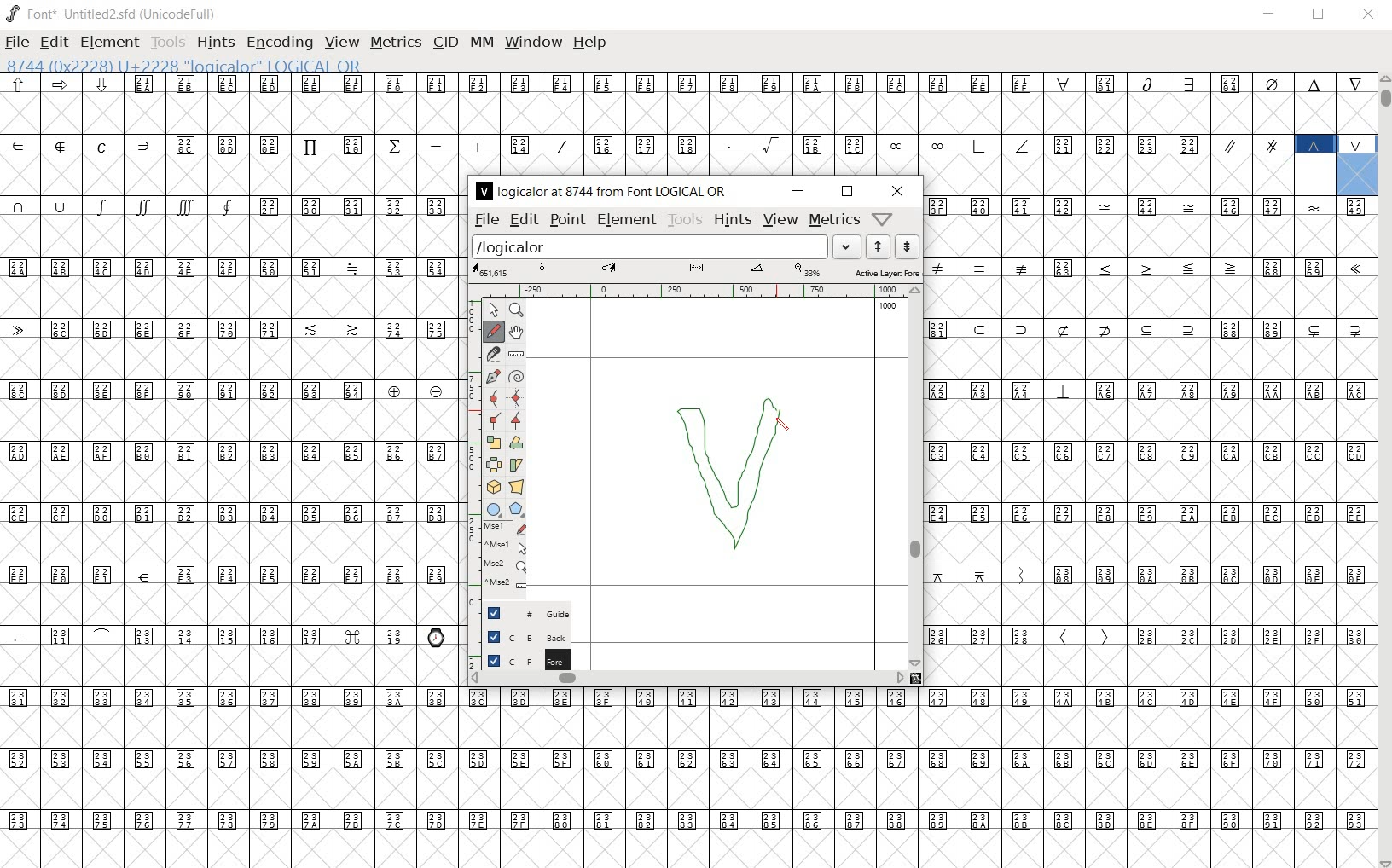 Image resolution: width=1392 pixels, height=868 pixels. Describe the element at coordinates (591, 42) in the screenshot. I see `help` at that location.